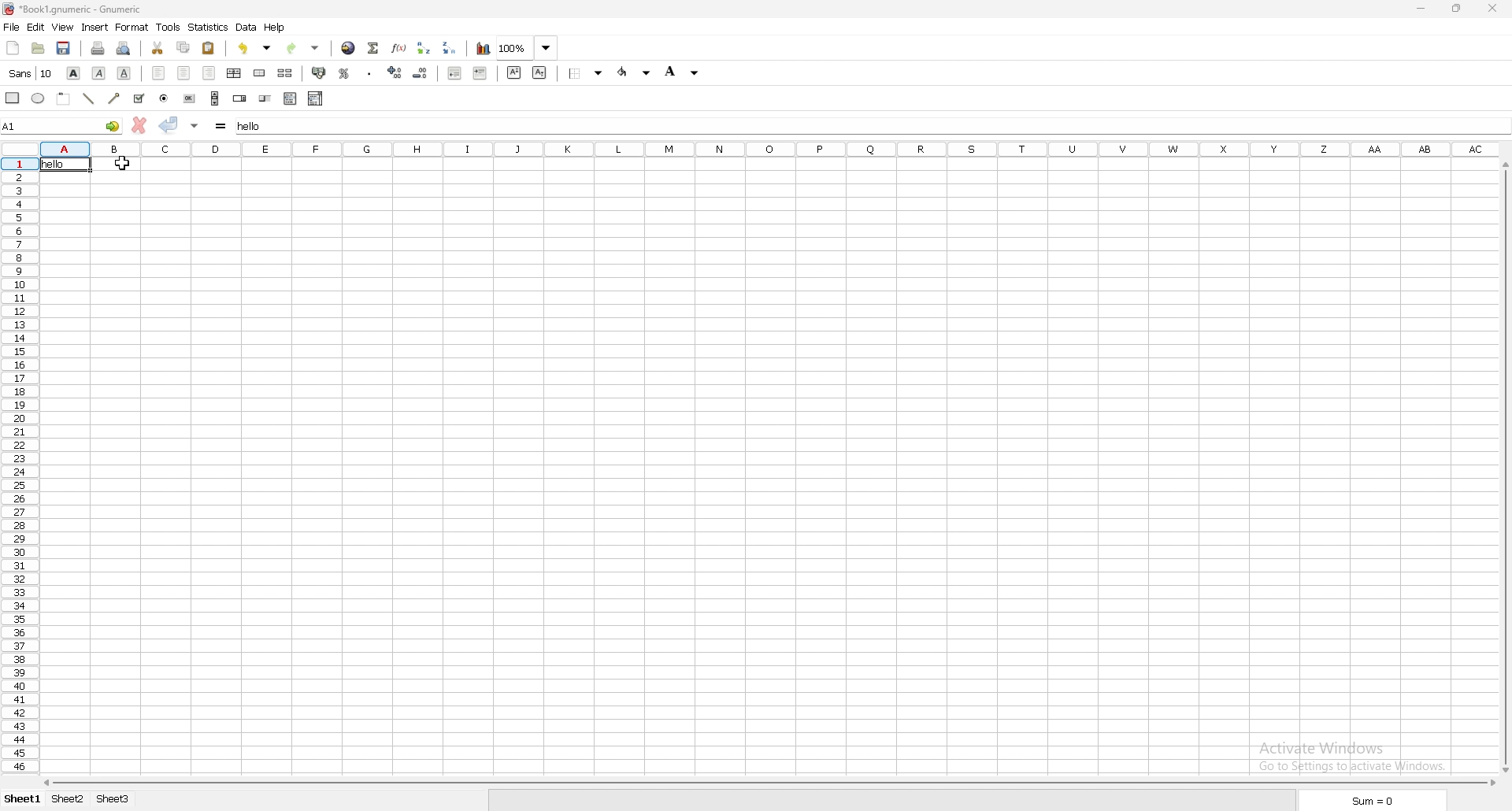  I want to click on cursor, so click(125, 163).